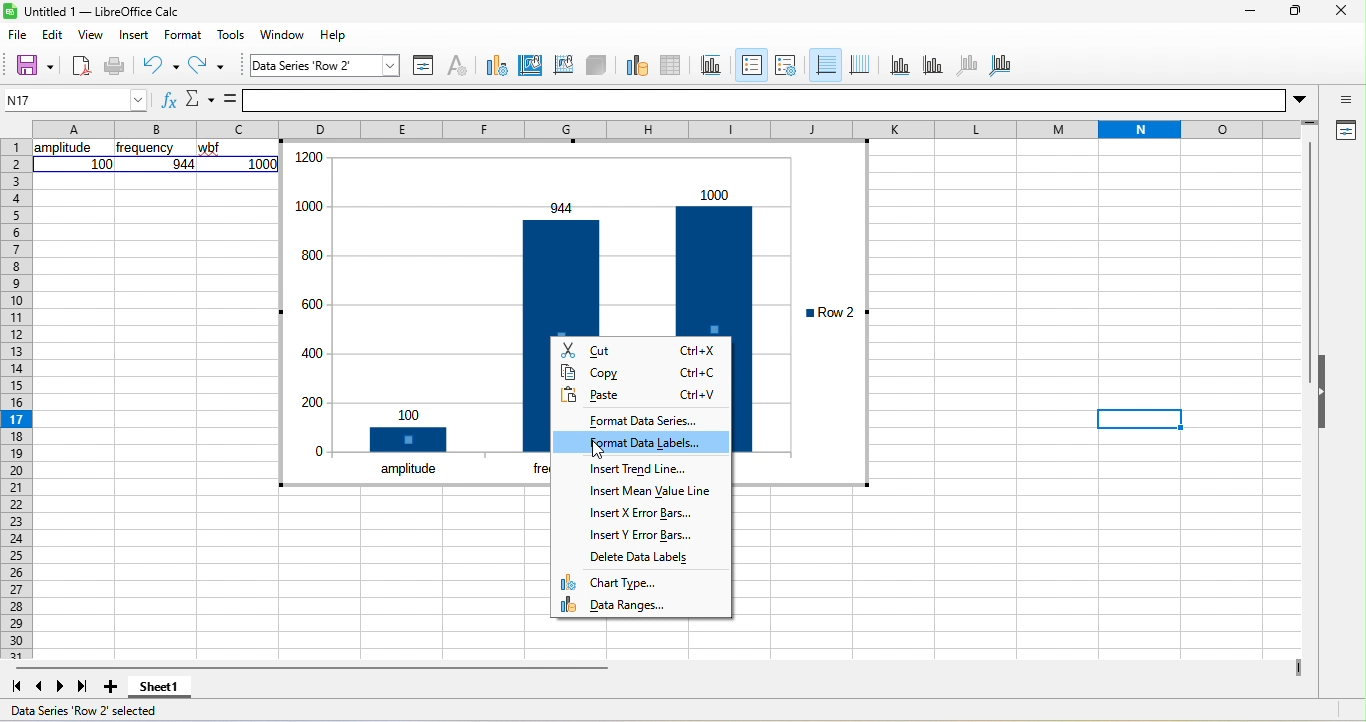  What do you see at coordinates (86, 688) in the screenshot?
I see `last sheet` at bounding box center [86, 688].